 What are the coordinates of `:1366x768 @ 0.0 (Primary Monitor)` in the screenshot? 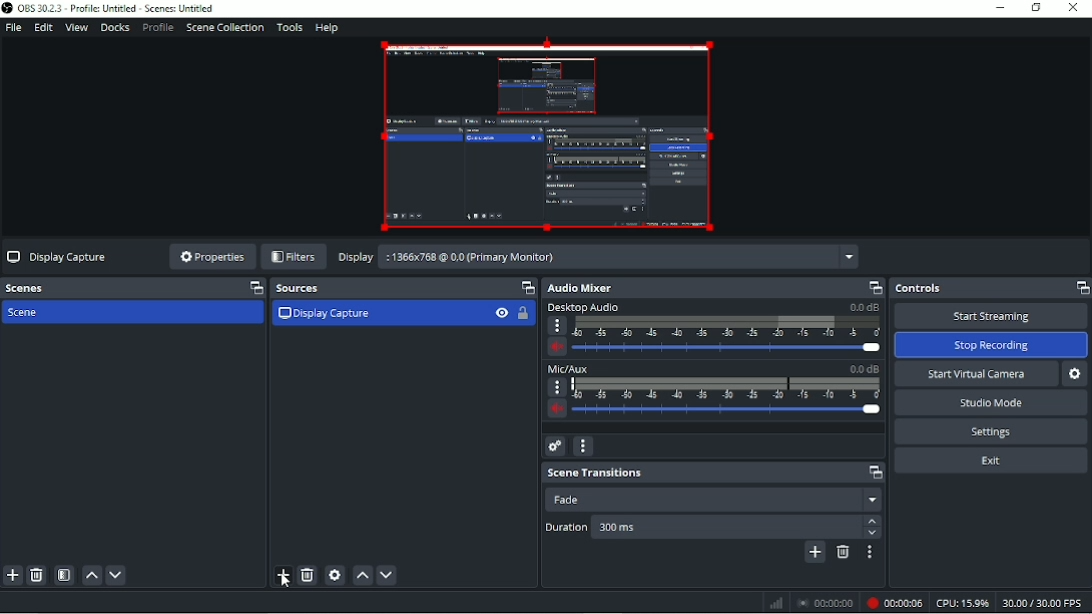 It's located at (618, 257).